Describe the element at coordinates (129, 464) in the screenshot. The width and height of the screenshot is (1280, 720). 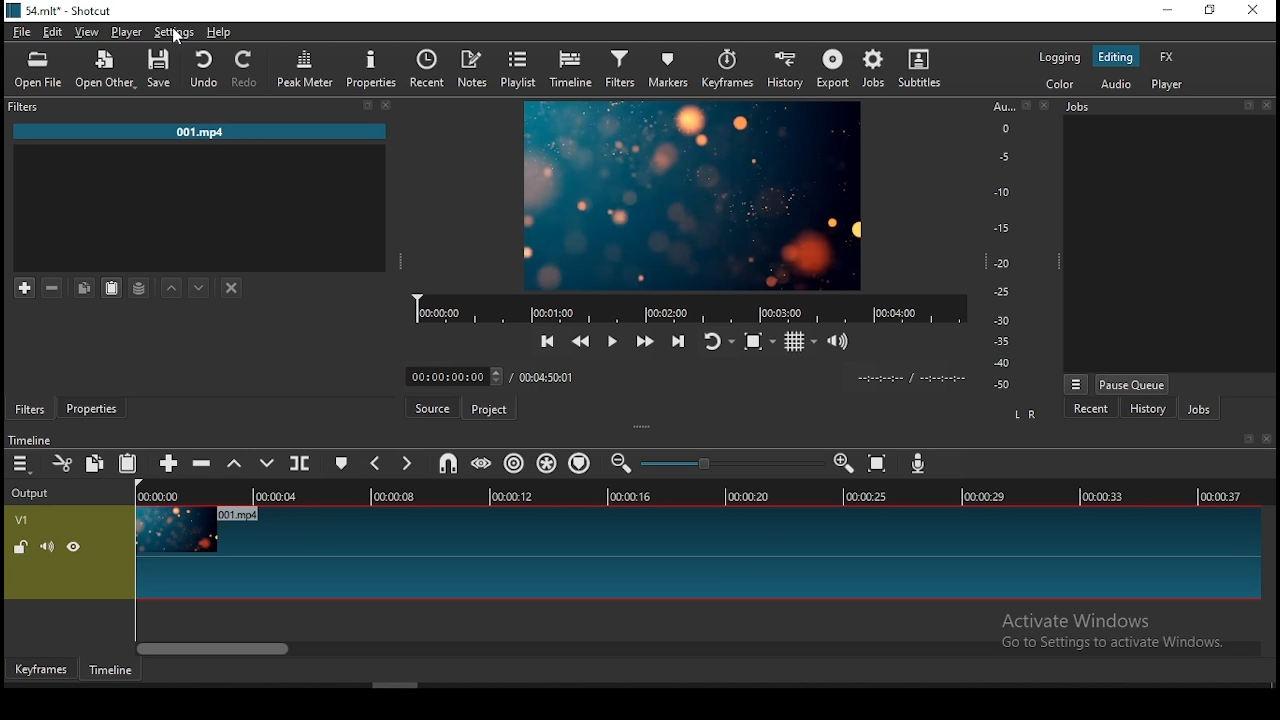
I see `paste` at that location.